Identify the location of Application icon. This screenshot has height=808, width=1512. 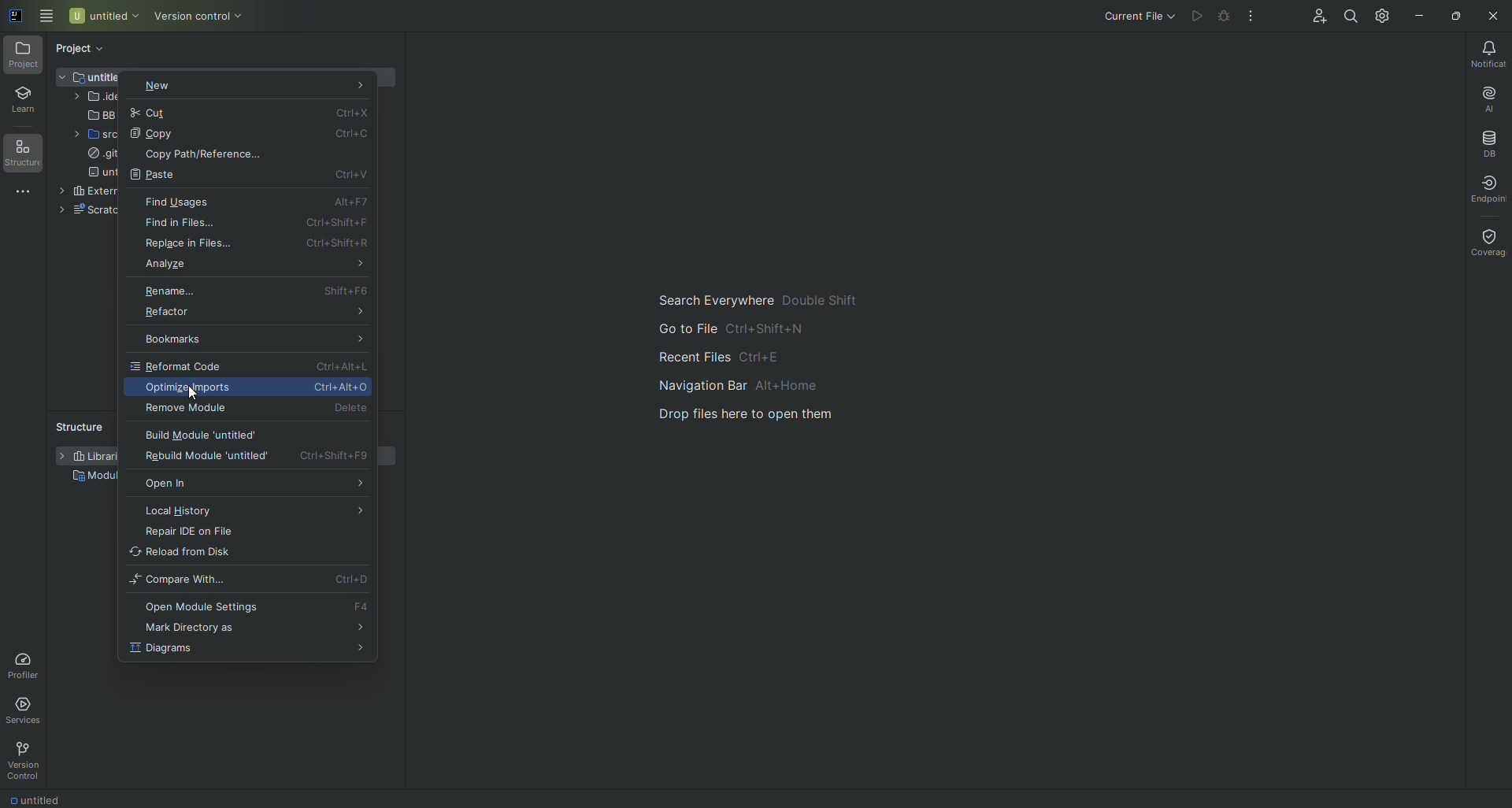
(13, 22).